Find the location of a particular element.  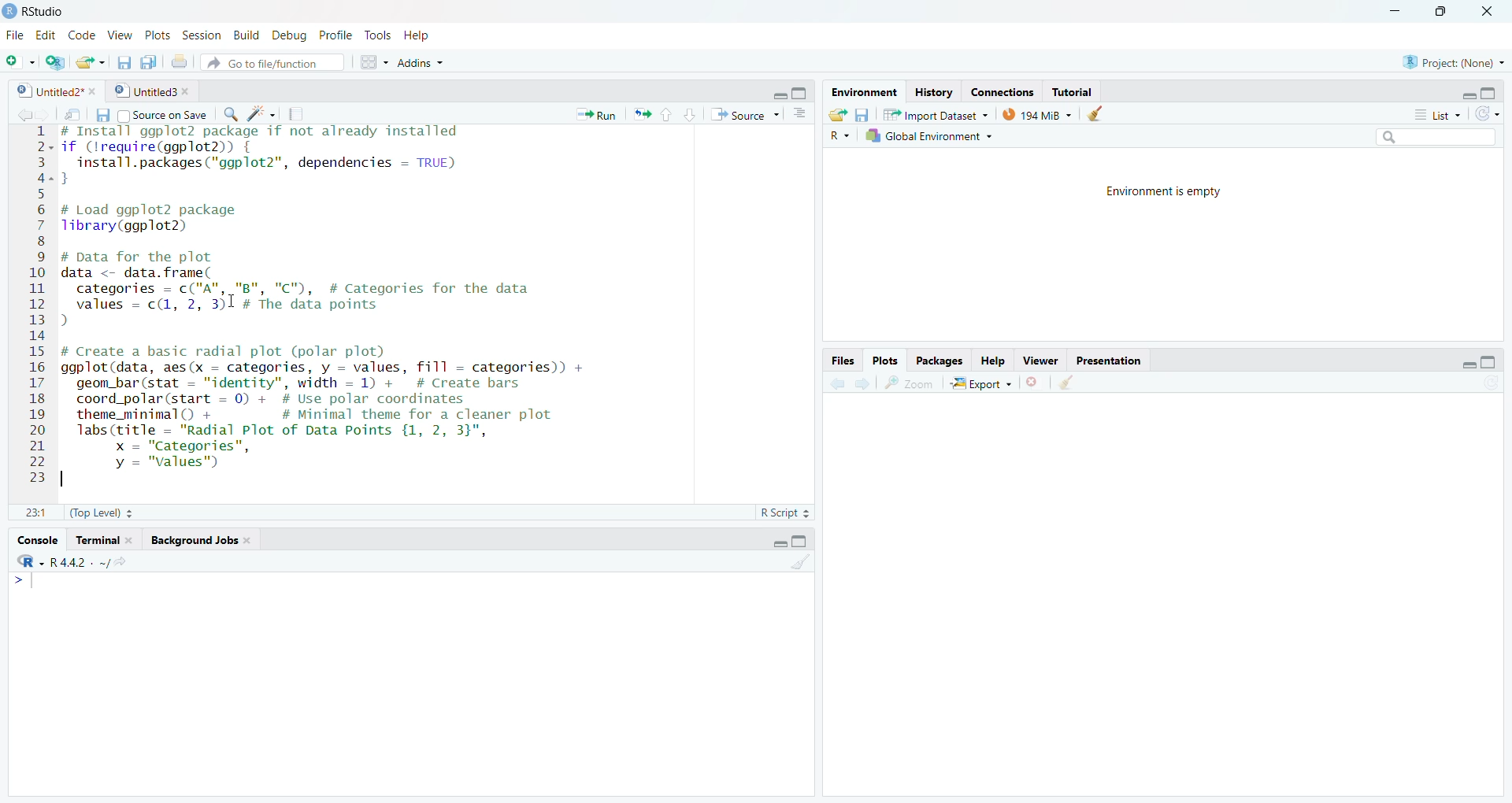

open an exist file is located at coordinates (91, 62).